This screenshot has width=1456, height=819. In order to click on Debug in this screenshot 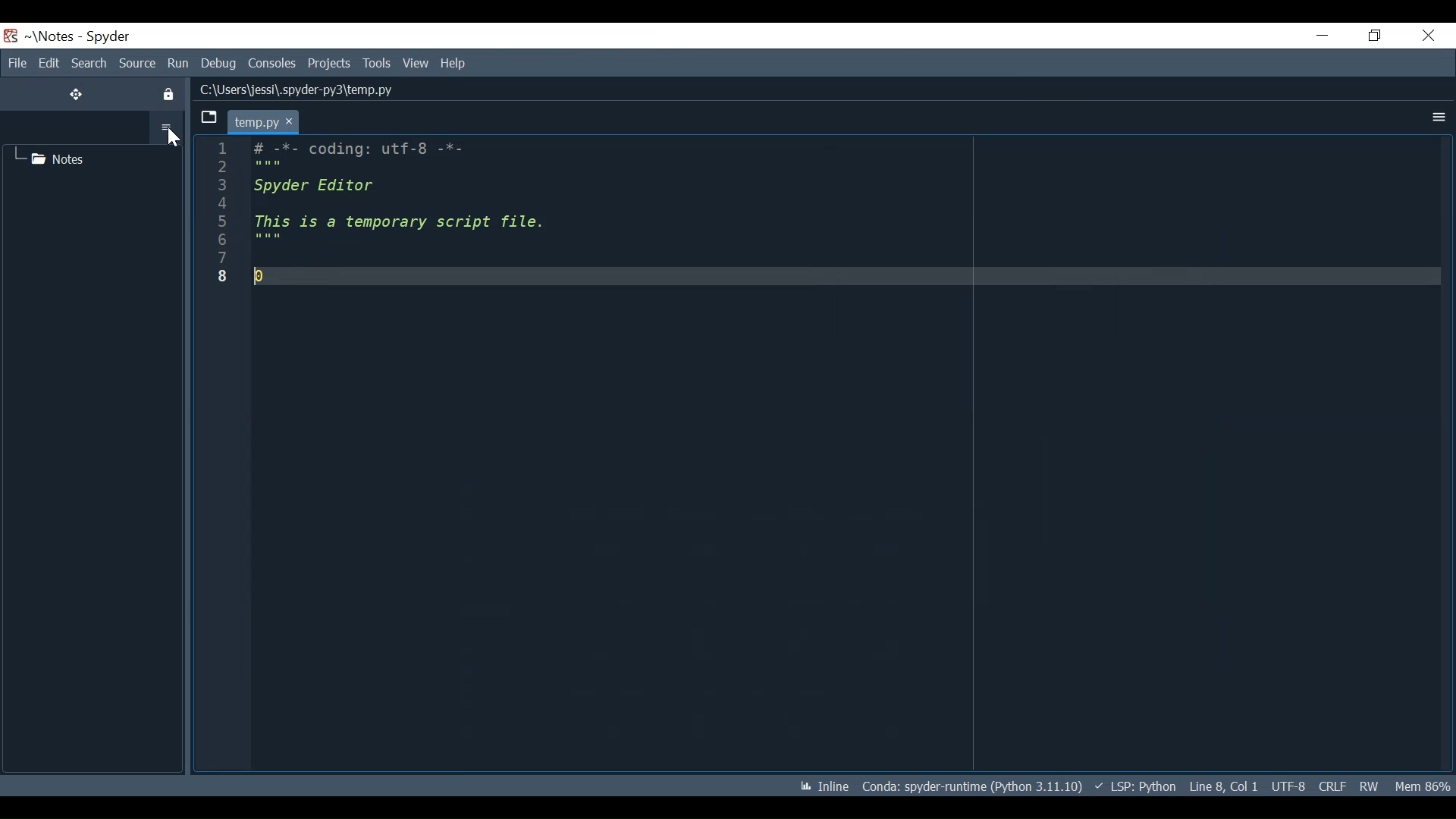, I will do `click(219, 64)`.